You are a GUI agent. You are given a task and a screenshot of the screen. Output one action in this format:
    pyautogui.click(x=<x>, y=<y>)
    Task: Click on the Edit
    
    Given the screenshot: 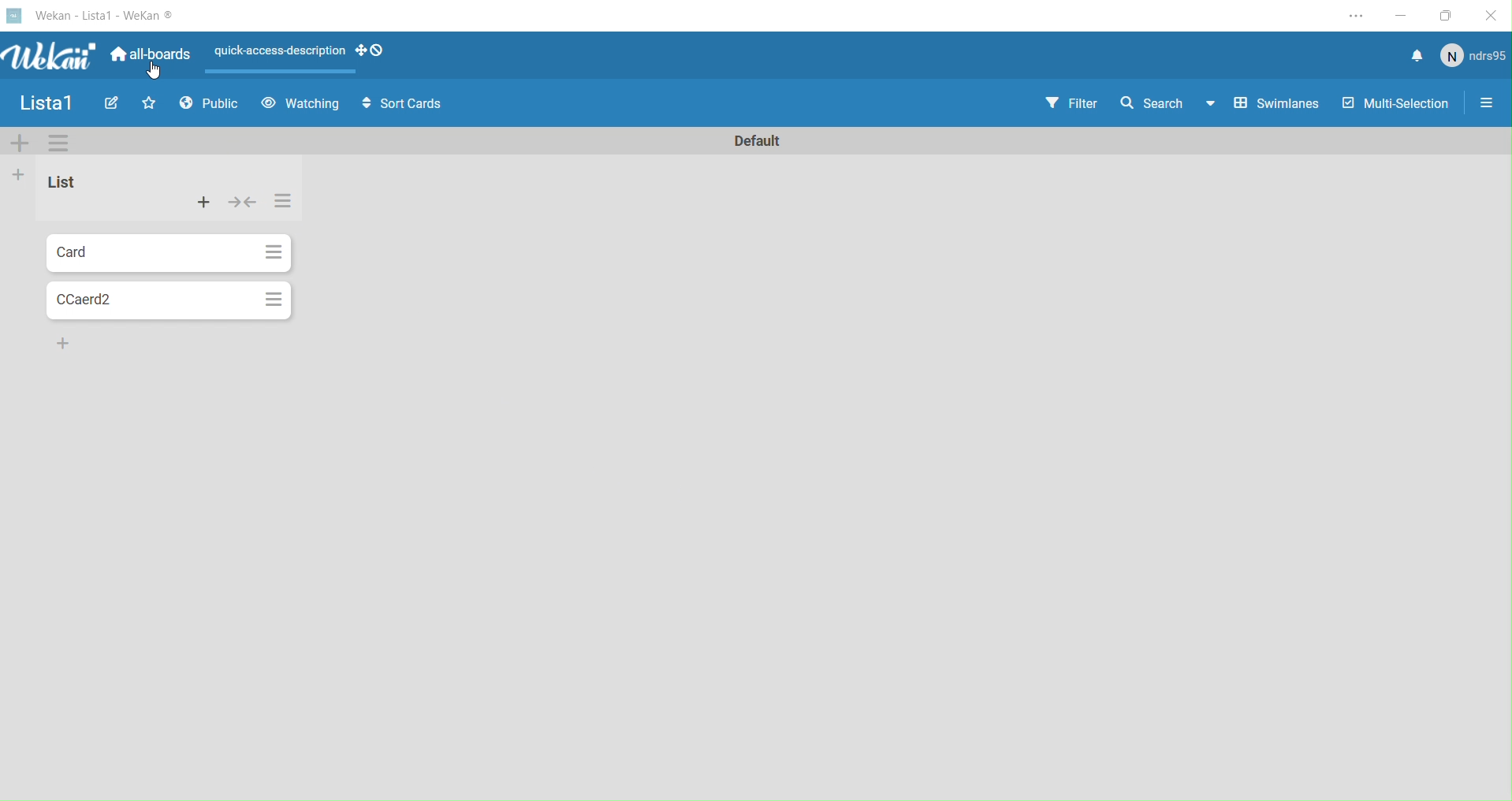 What is the action you would take?
    pyautogui.click(x=108, y=105)
    